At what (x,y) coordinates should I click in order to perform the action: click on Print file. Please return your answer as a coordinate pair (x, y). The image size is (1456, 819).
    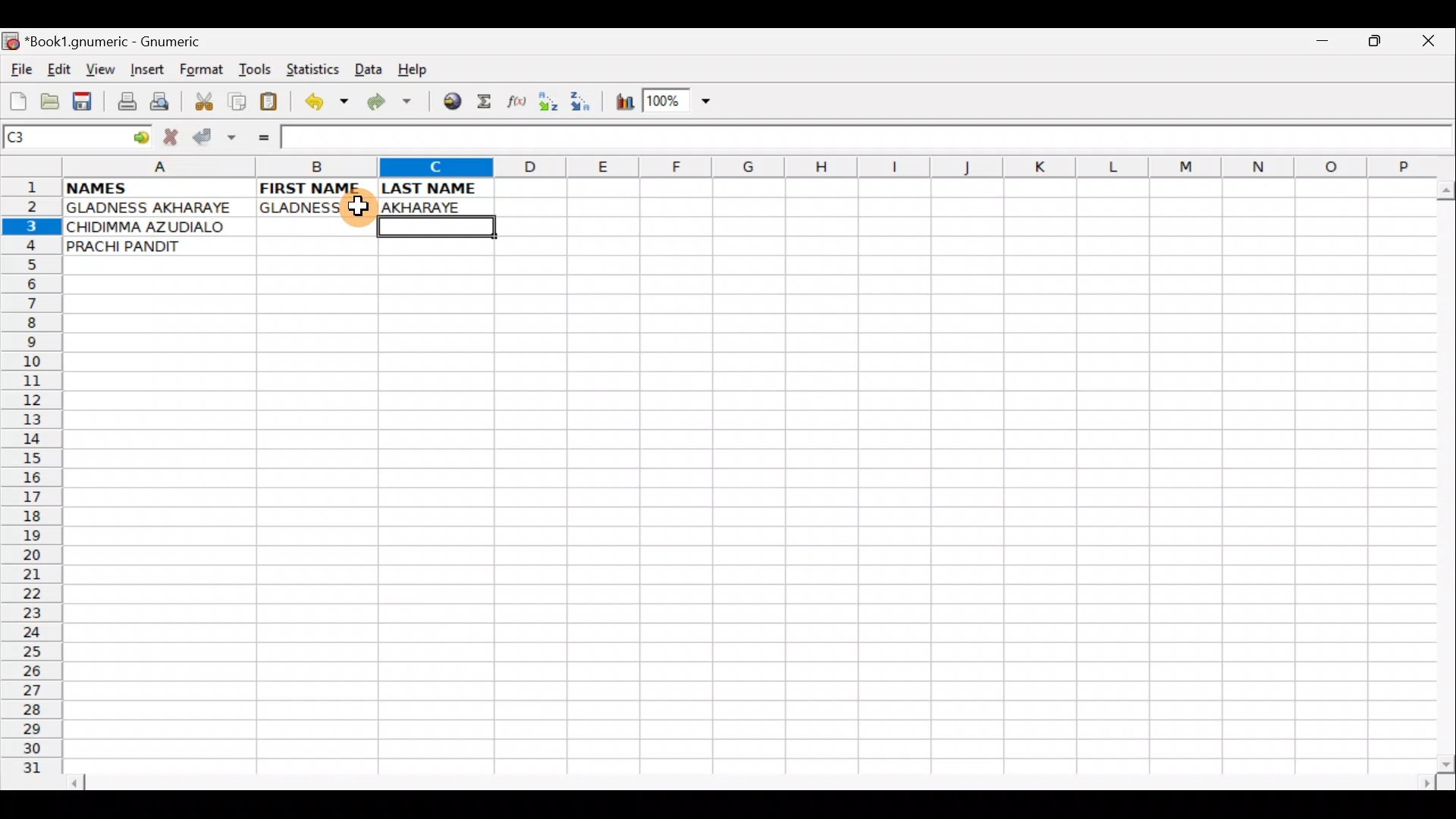
    Looking at the image, I should click on (123, 103).